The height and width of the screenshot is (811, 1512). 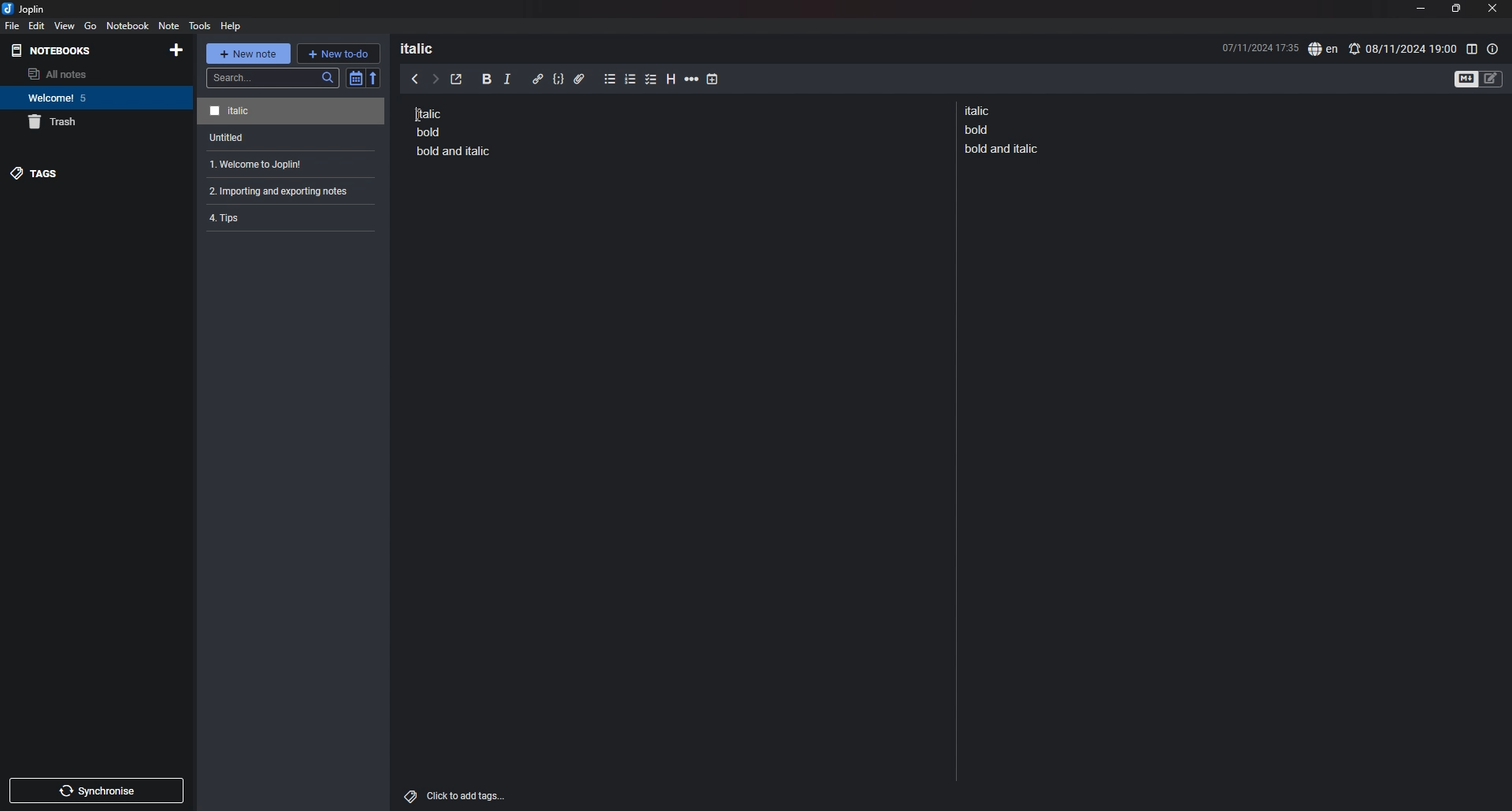 I want to click on note properties, so click(x=1493, y=49).